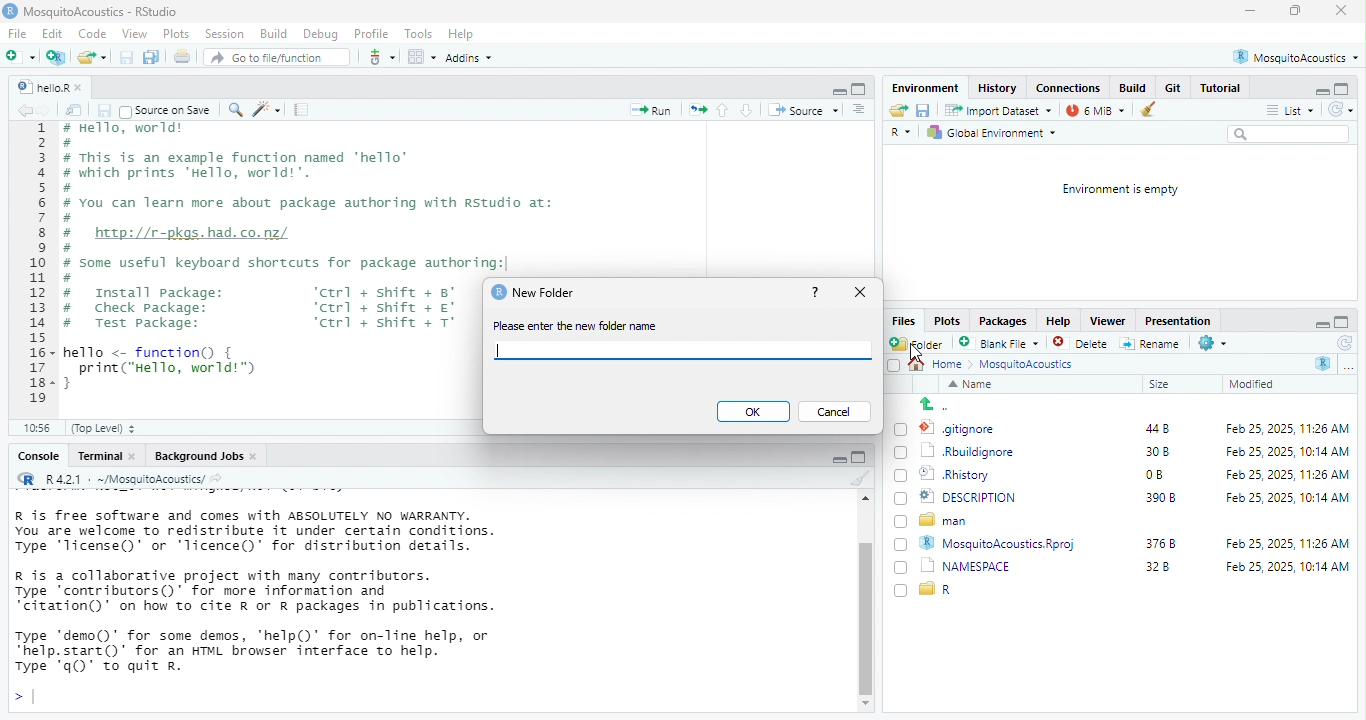  I want to click on Help, so click(1057, 322).